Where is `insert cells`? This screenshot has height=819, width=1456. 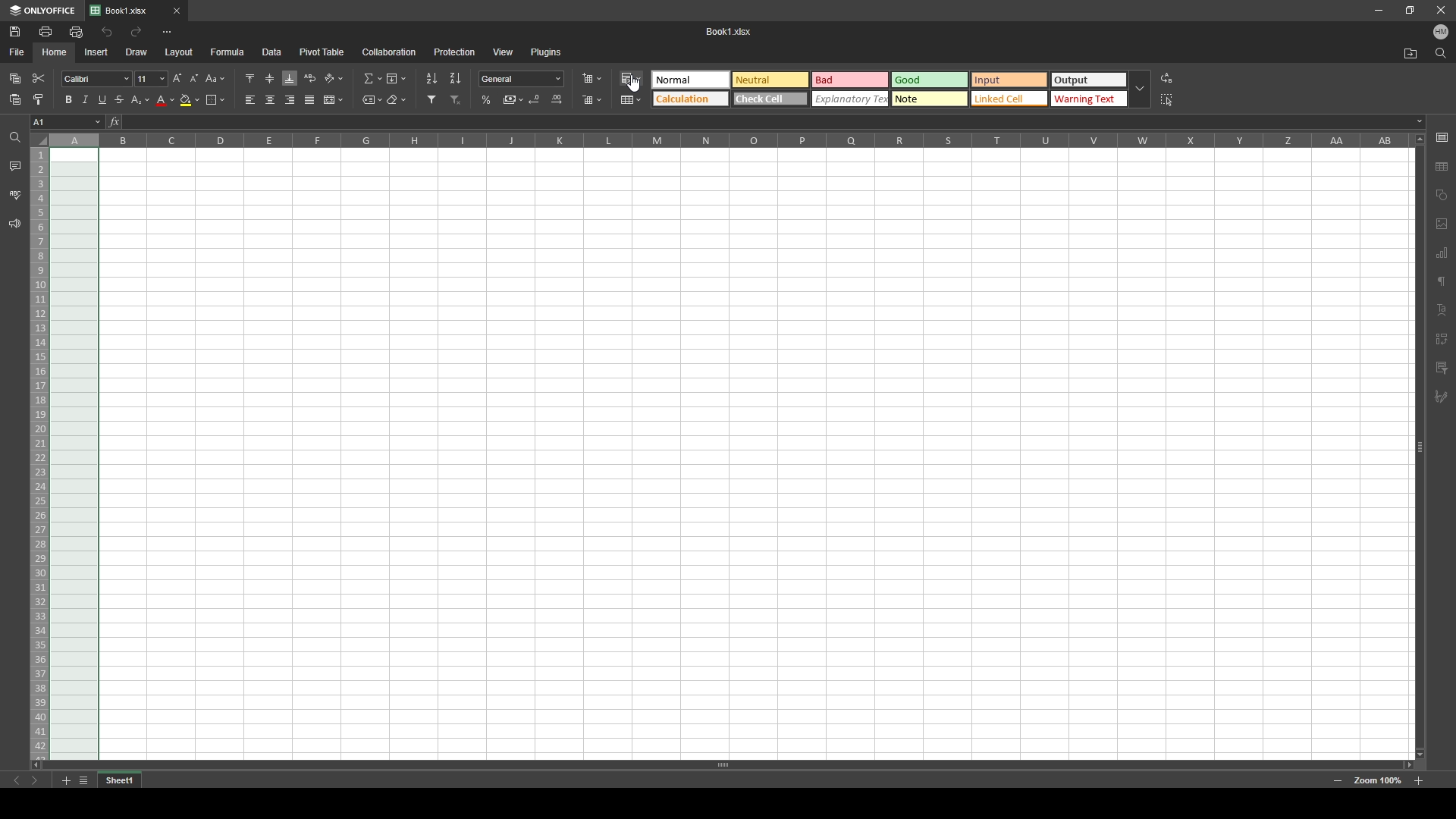 insert cells is located at coordinates (591, 79).